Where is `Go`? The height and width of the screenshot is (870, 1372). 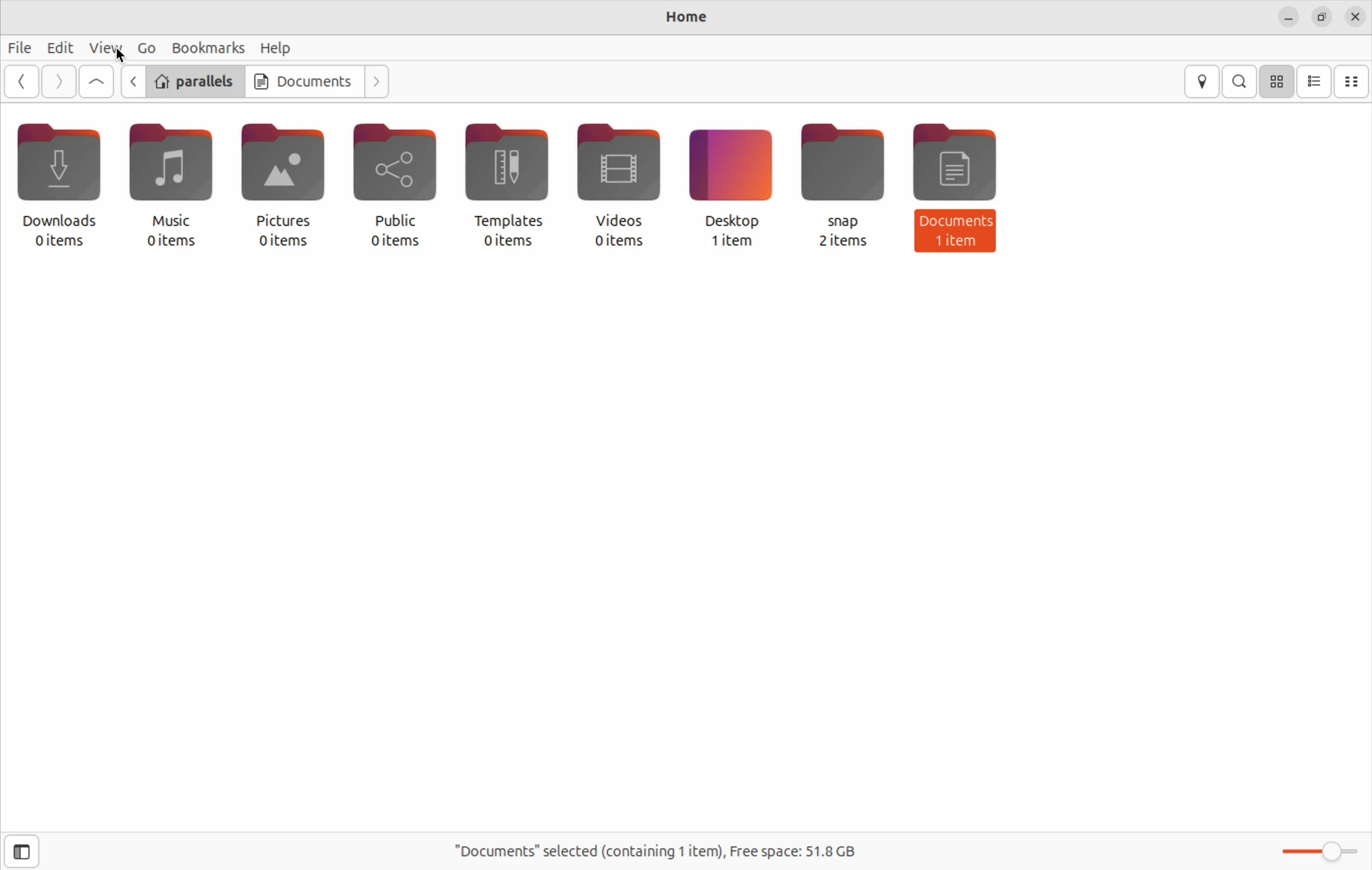 Go is located at coordinates (150, 46).